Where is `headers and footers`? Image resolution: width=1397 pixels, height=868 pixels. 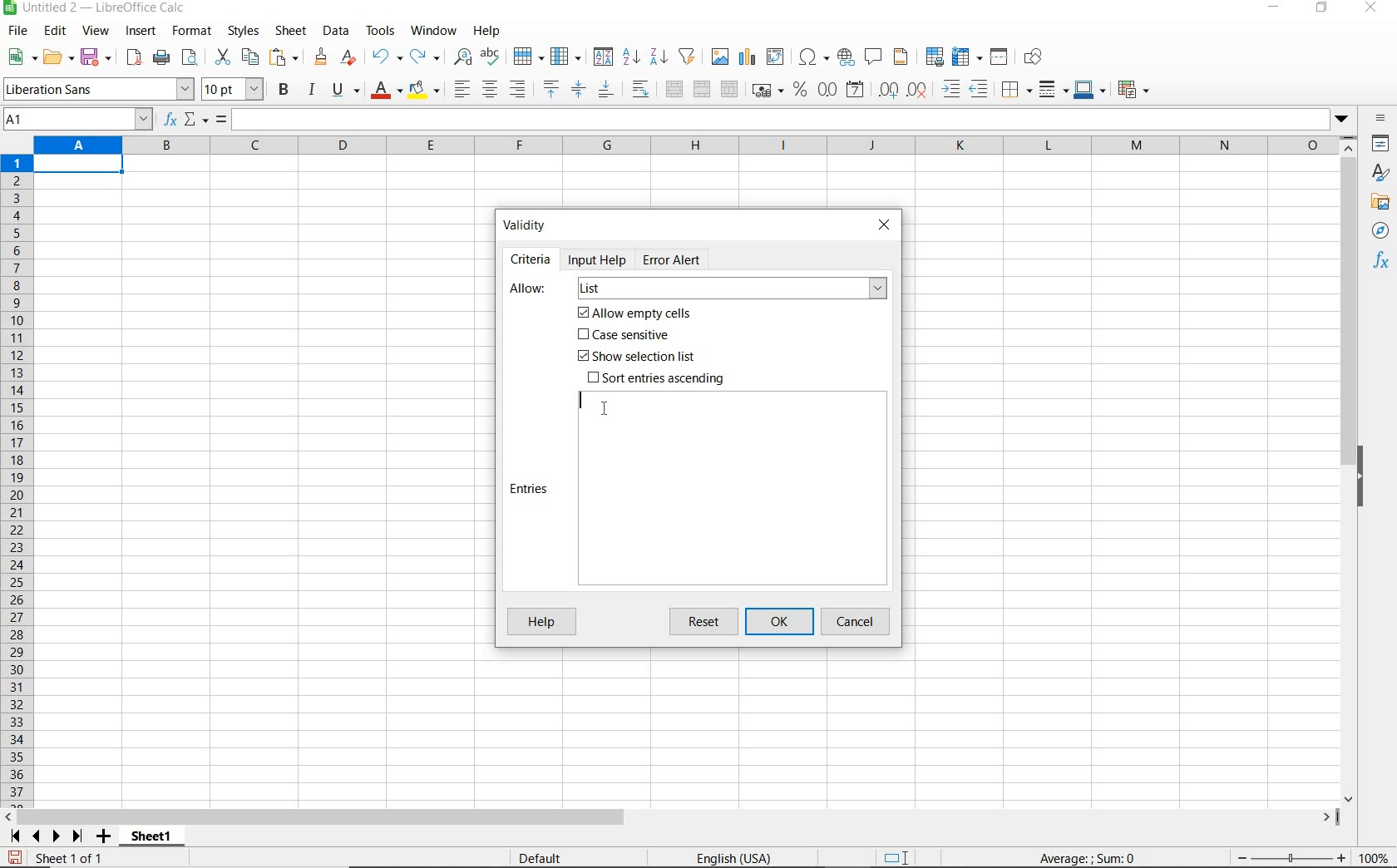
headers and footers is located at coordinates (904, 57).